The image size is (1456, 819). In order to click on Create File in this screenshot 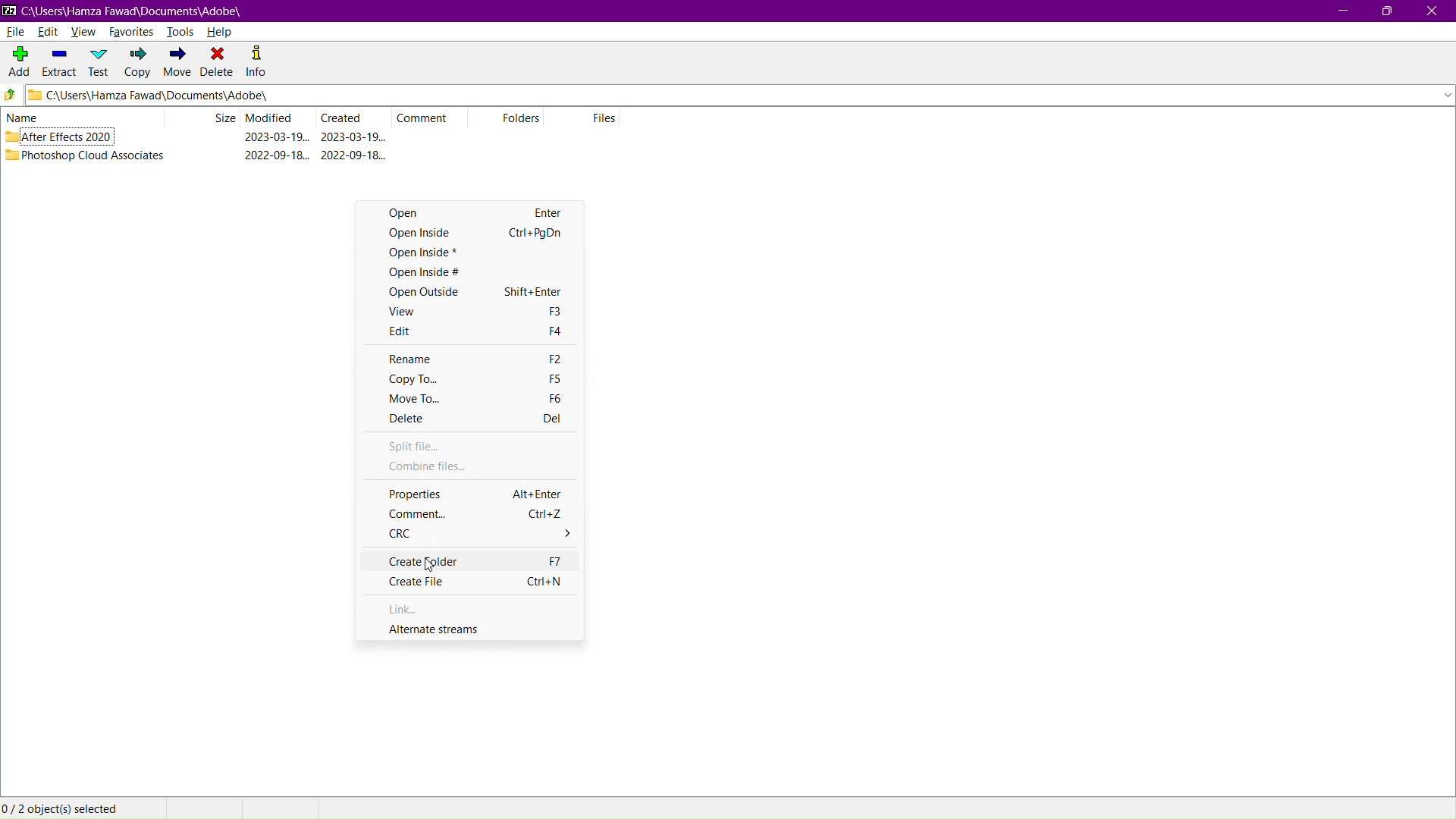, I will do `click(469, 582)`.